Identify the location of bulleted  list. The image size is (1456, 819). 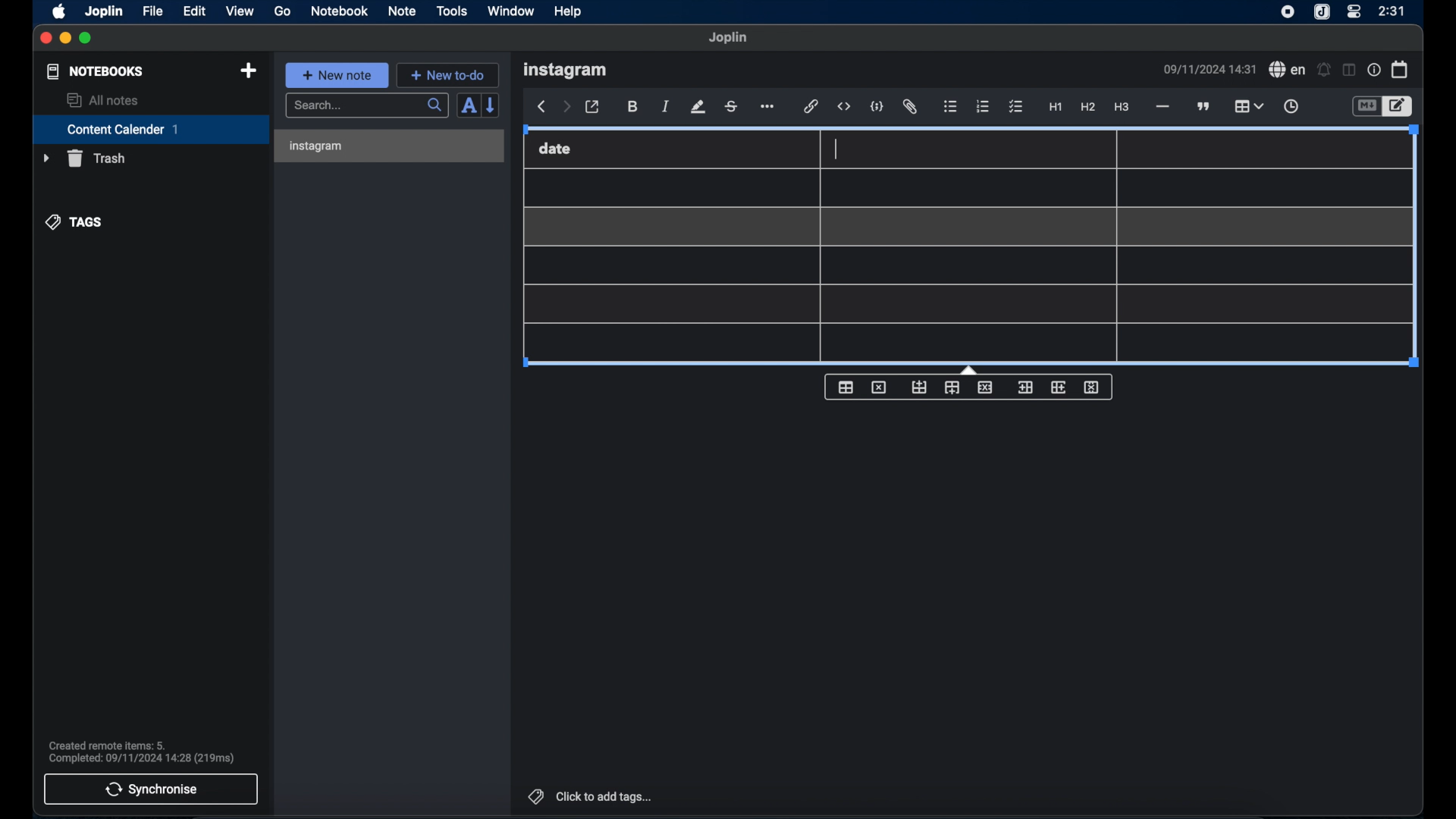
(951, 105).